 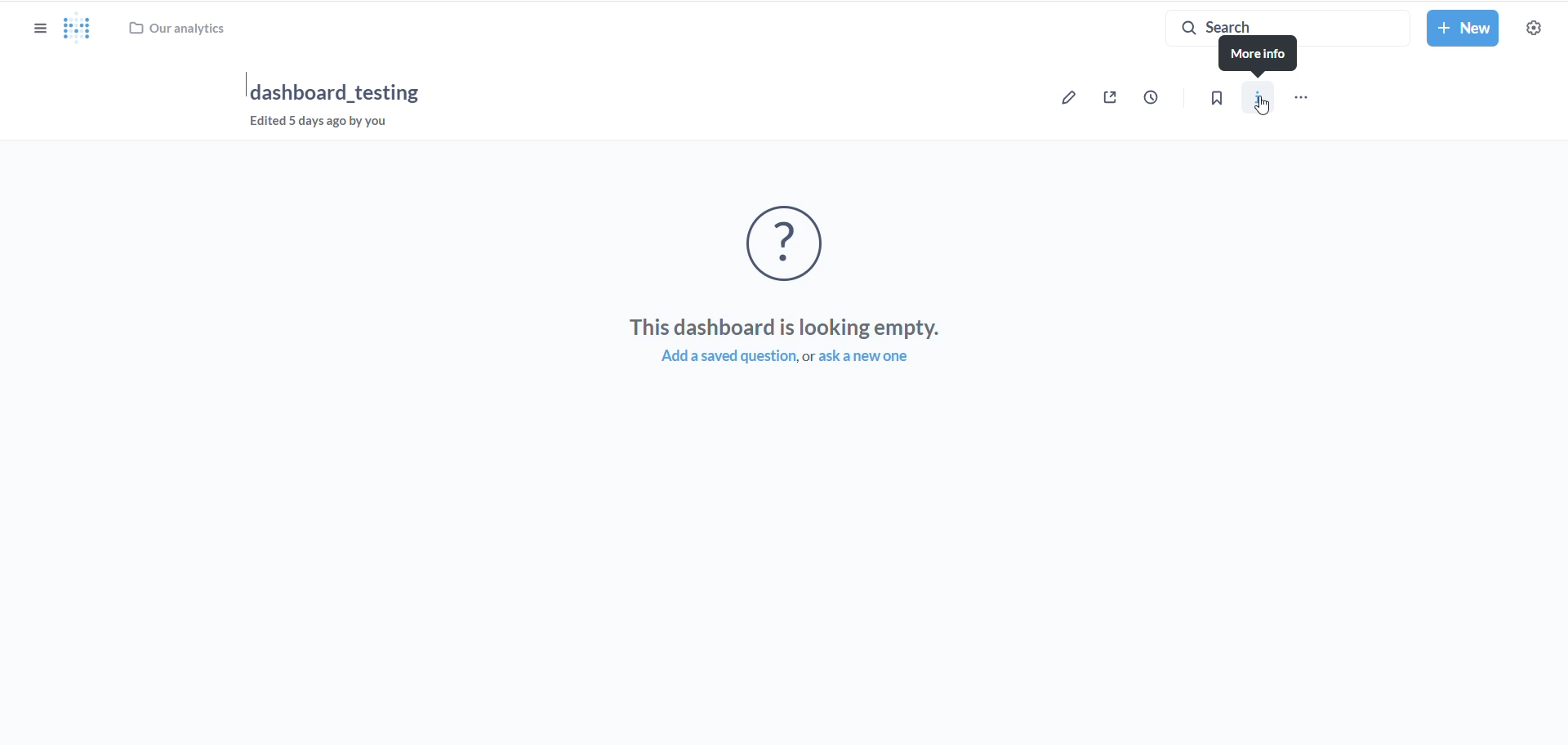 I want to click on add a saved question, so click(x=716, y=358).